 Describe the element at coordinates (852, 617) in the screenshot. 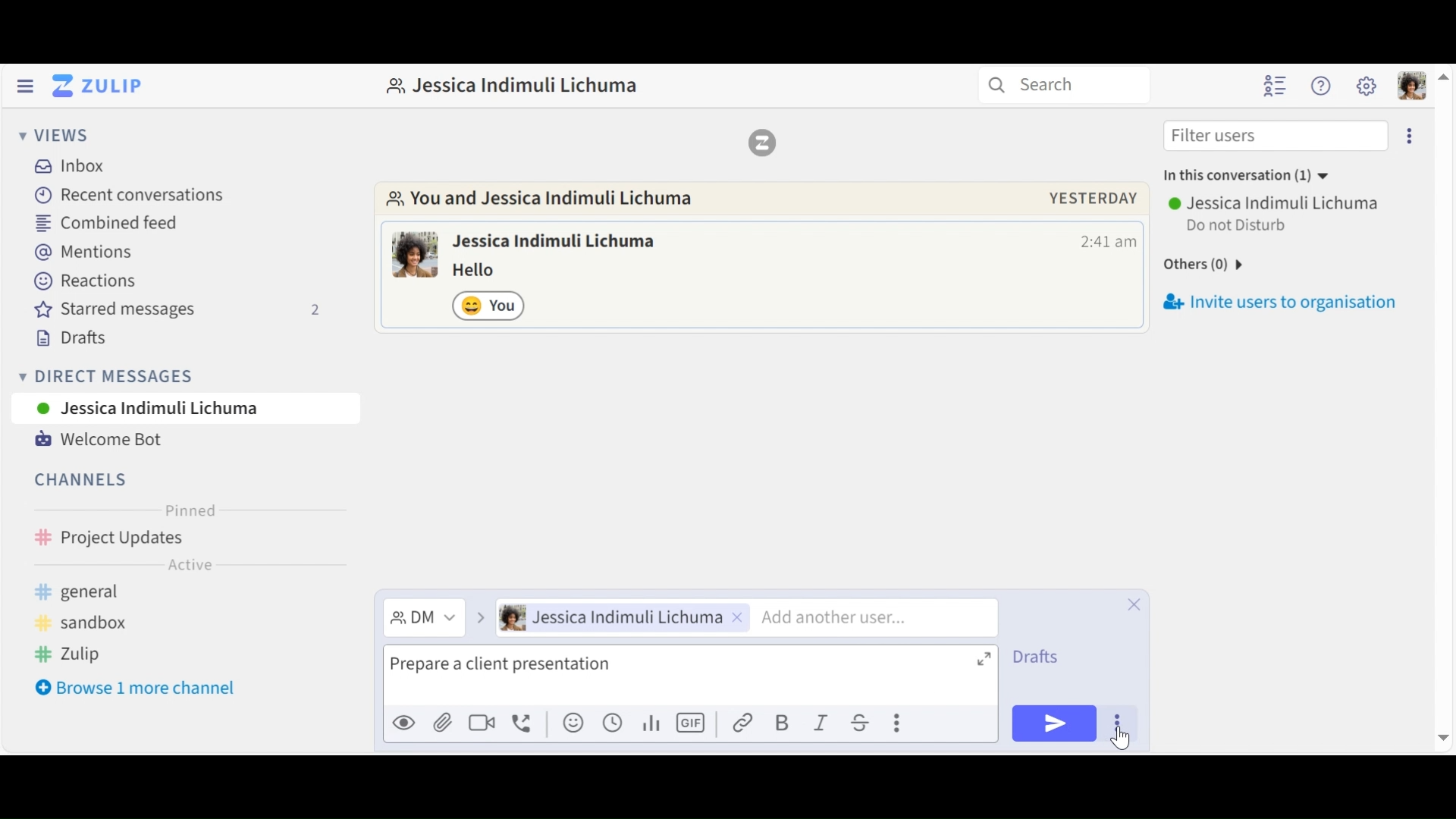

I see `Add another user` at that location.